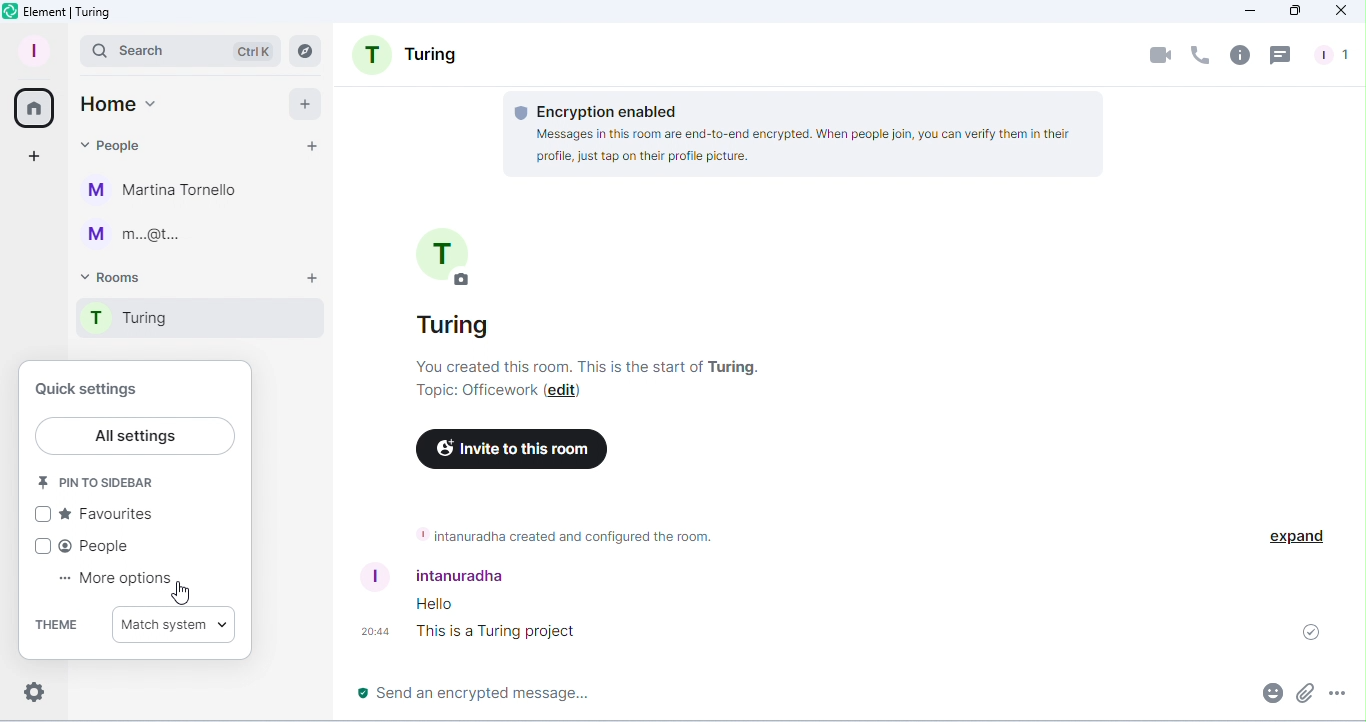  I want to click on Rooms, so click(115, 277).